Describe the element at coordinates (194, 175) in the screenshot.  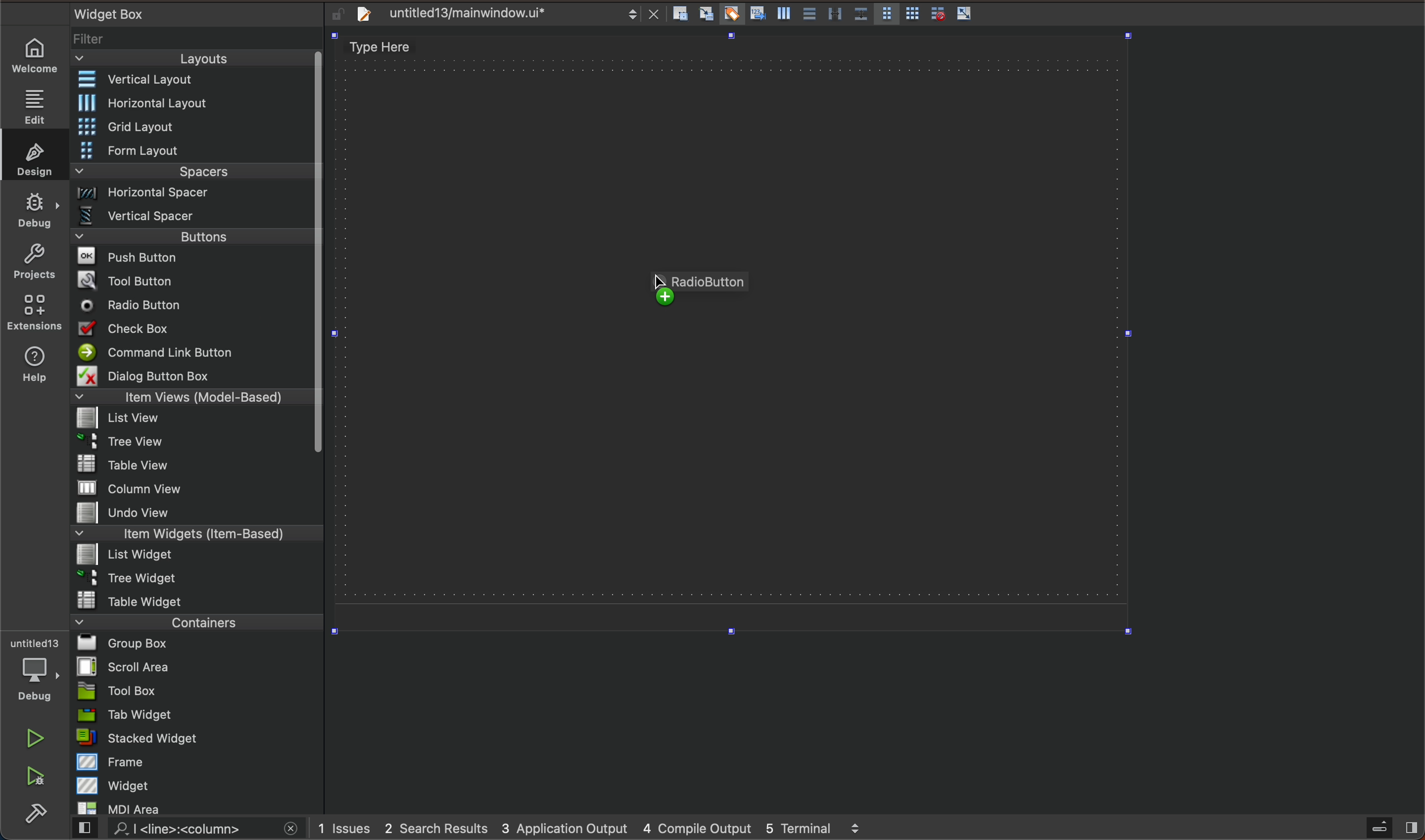
I see `spacers` at that location.